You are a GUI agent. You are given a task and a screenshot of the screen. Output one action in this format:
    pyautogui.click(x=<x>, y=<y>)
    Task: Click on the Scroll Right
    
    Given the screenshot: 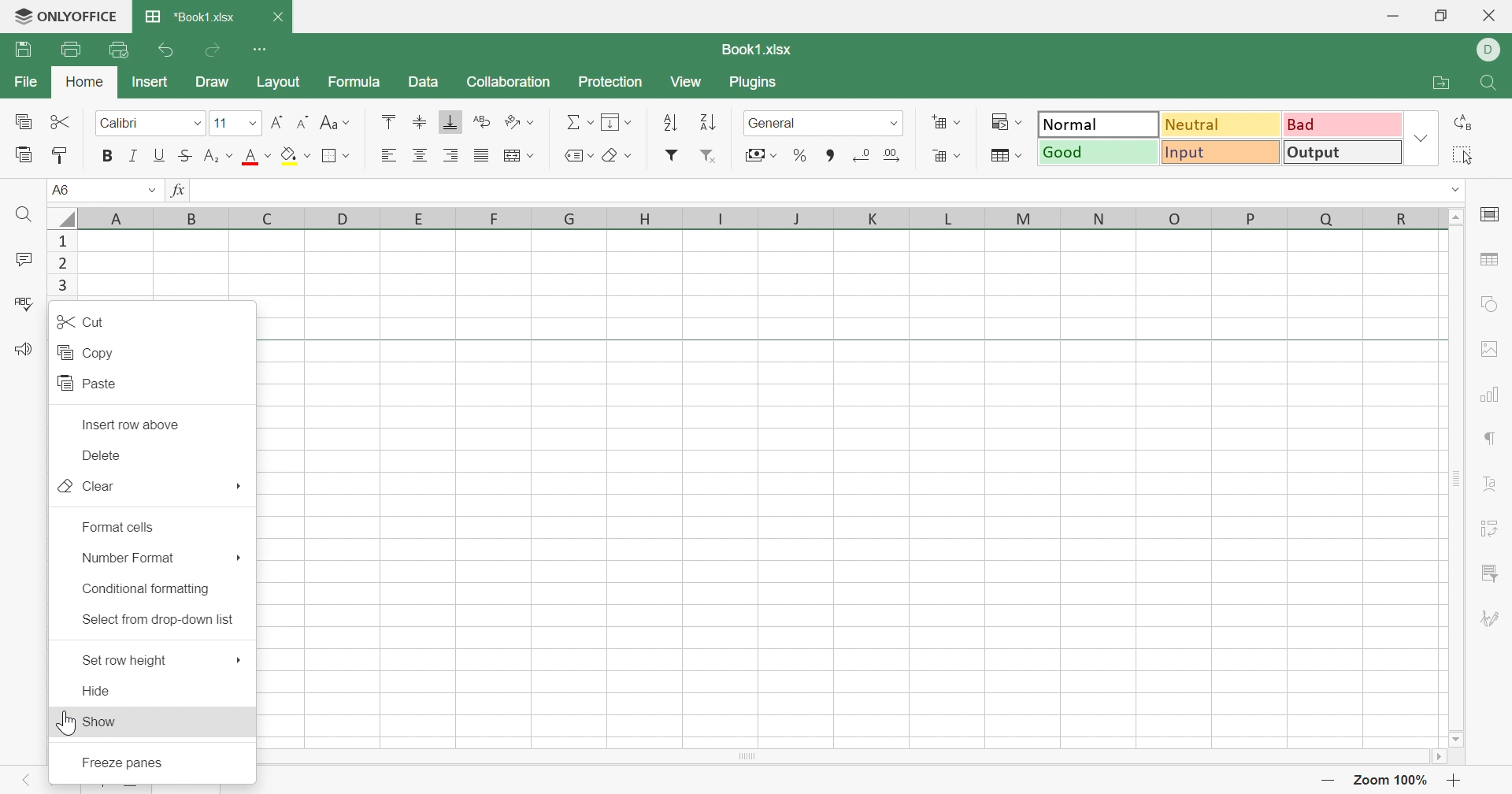 What is the action you would take?
    pyautogui.click(x=1443, y=756)
    